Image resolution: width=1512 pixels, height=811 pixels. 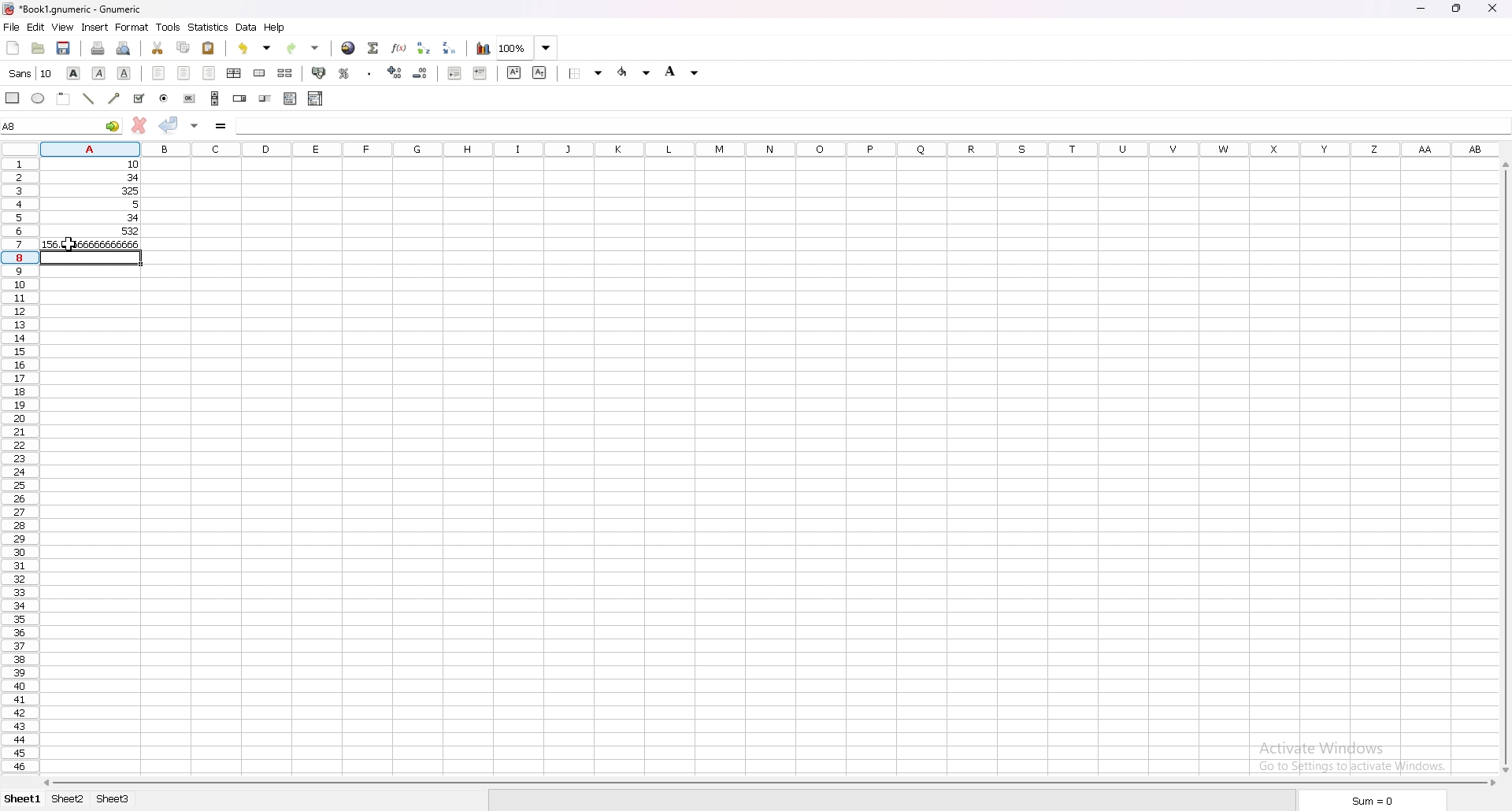 I want to click on sheet 1, so click(x=21, y=800).